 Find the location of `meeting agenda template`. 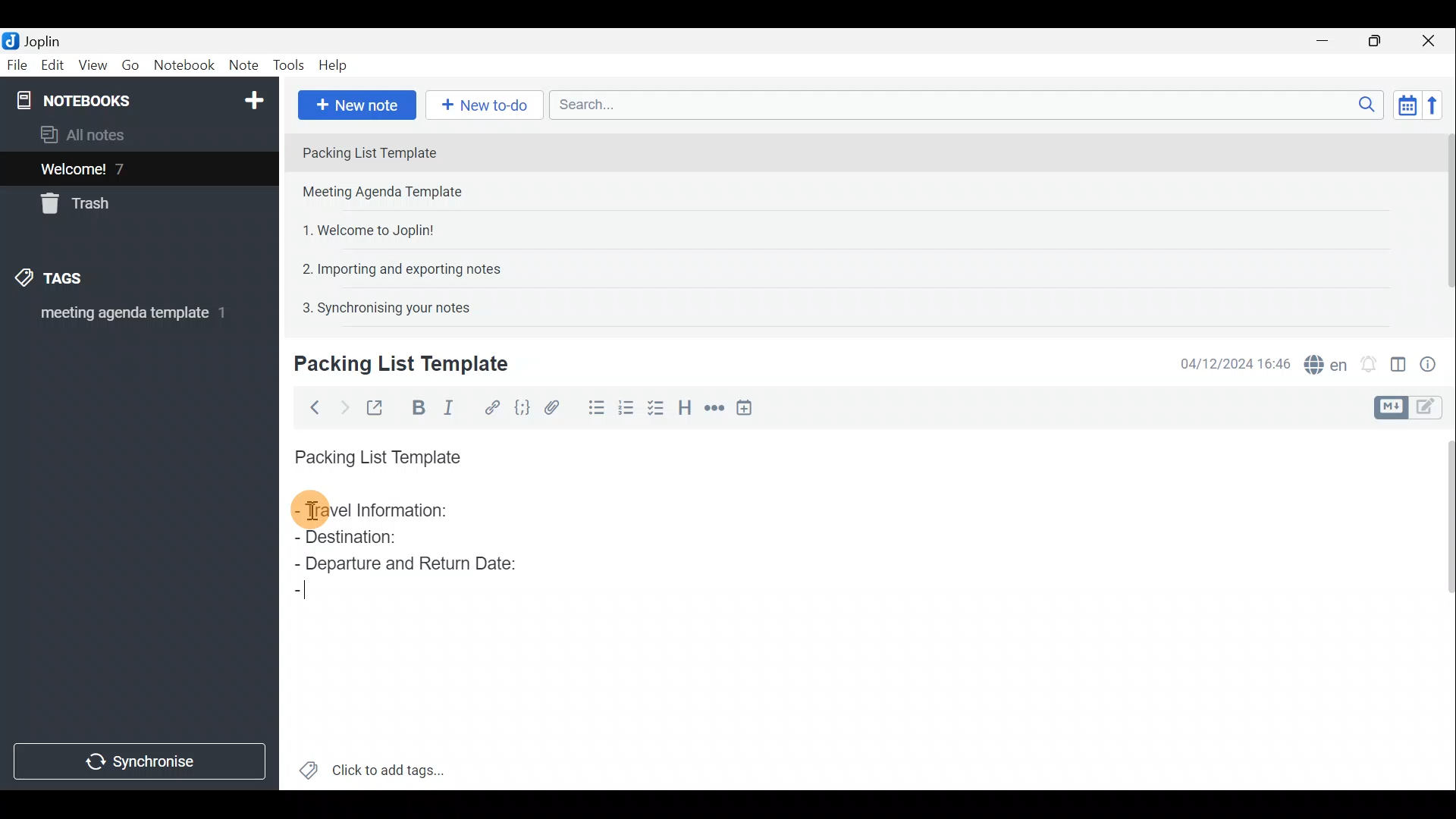

meeting agenda template is located at coordinates (130, 318).